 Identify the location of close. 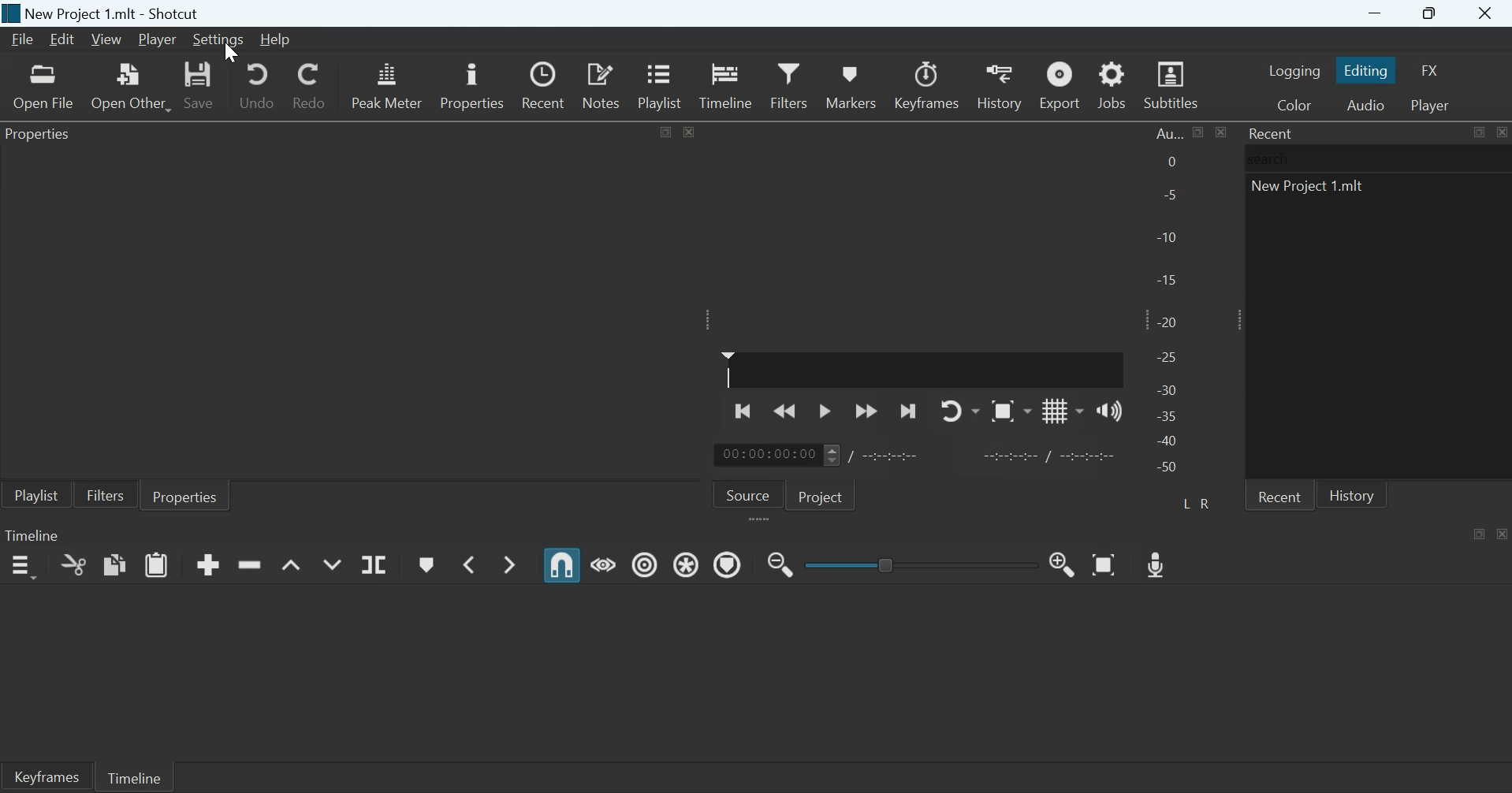
(1220, 132).